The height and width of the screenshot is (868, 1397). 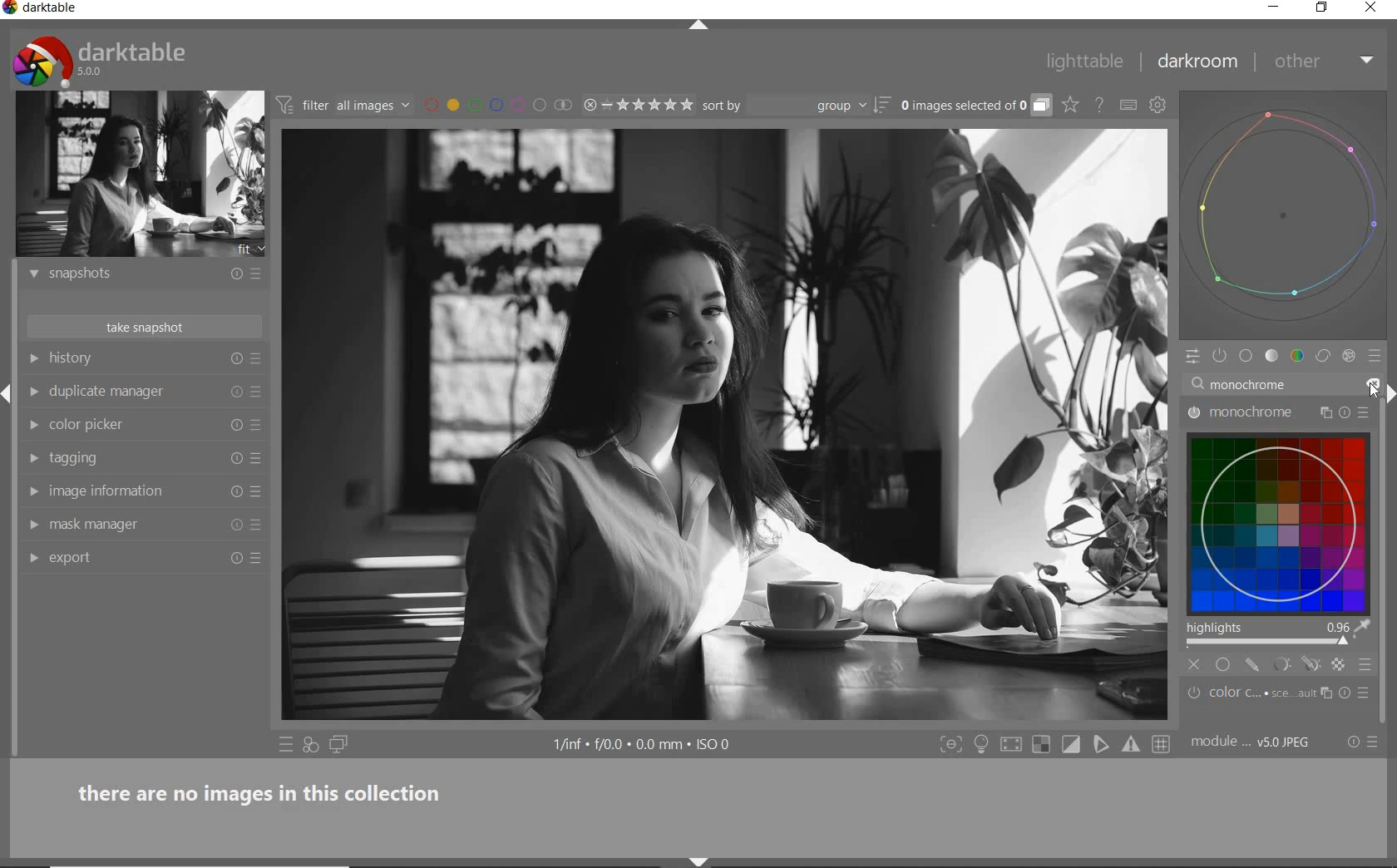 I want to click on toggle softproofing, so click(x=1103, y=747).